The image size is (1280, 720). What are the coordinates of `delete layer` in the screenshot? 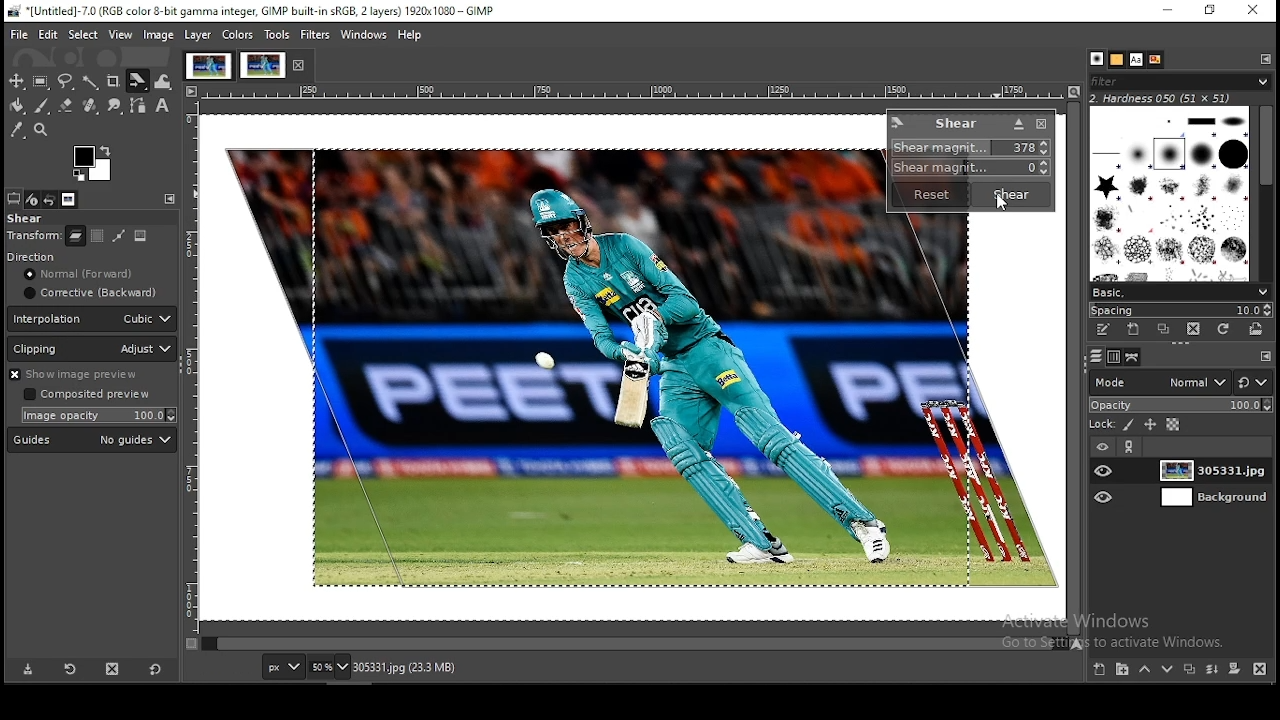 It's located at (1261, 669).